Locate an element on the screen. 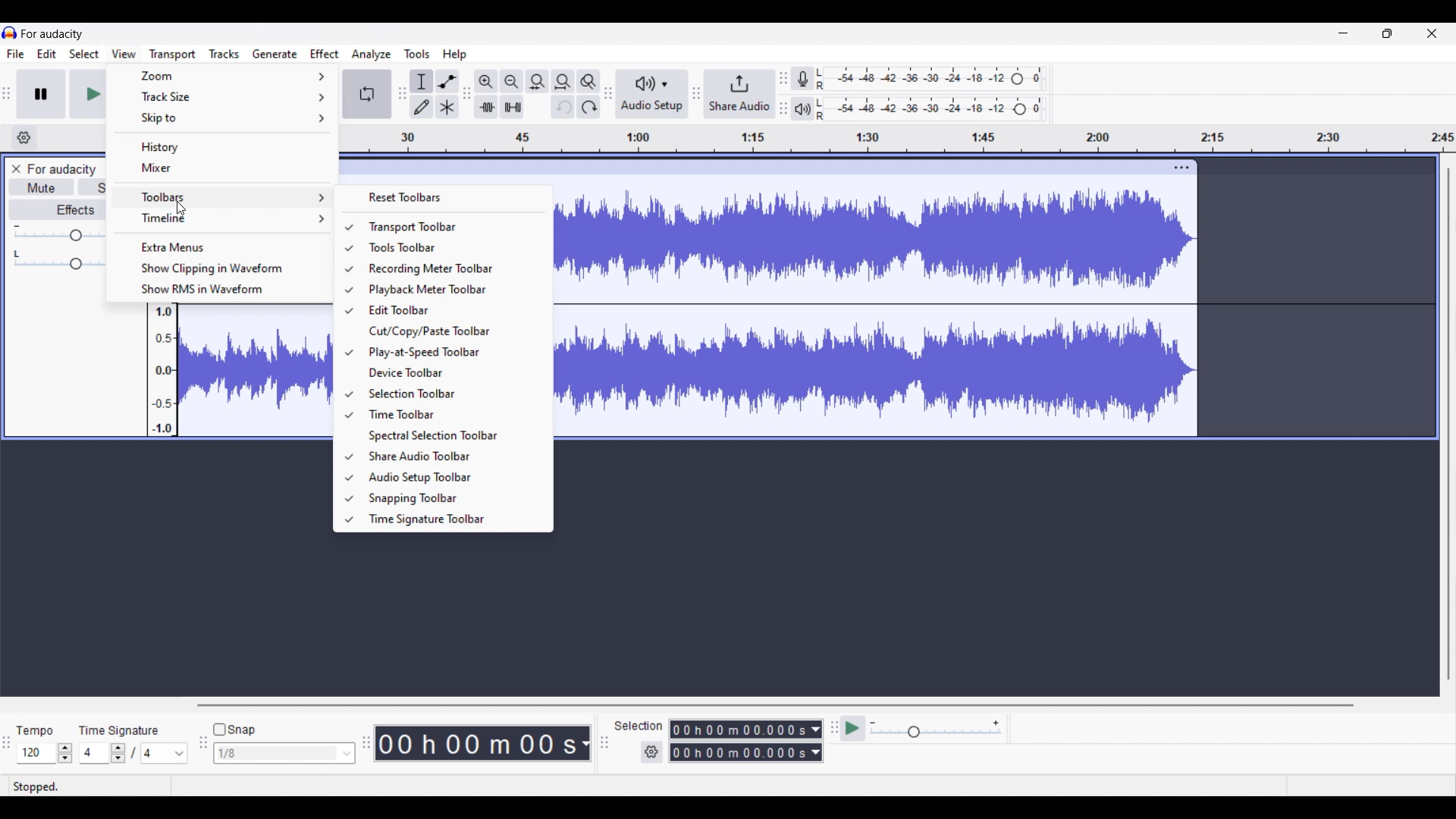  for audacity is located at coordinates (62, 170).